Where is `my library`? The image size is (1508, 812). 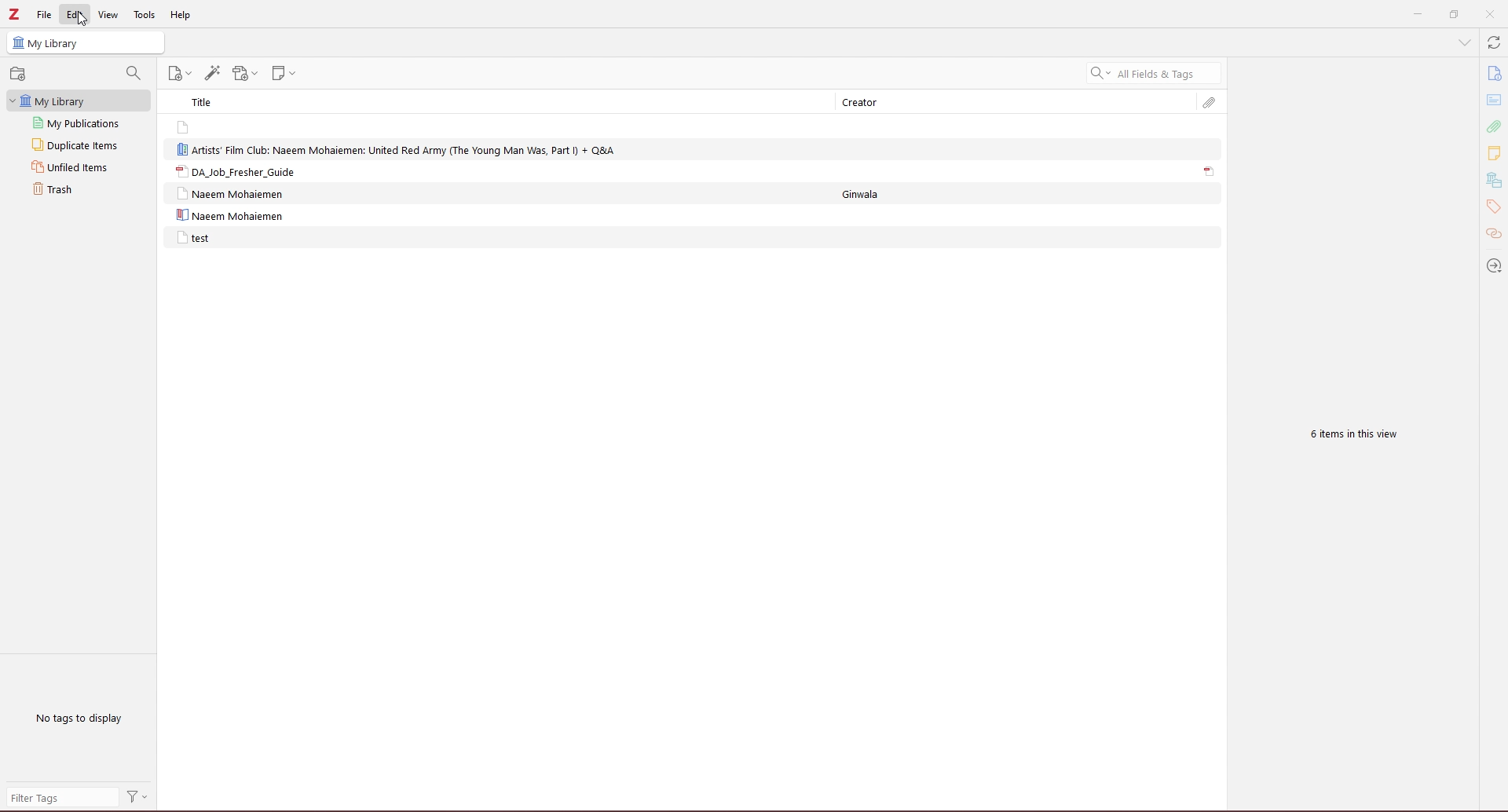
my library is located at coordinates (86, 43).